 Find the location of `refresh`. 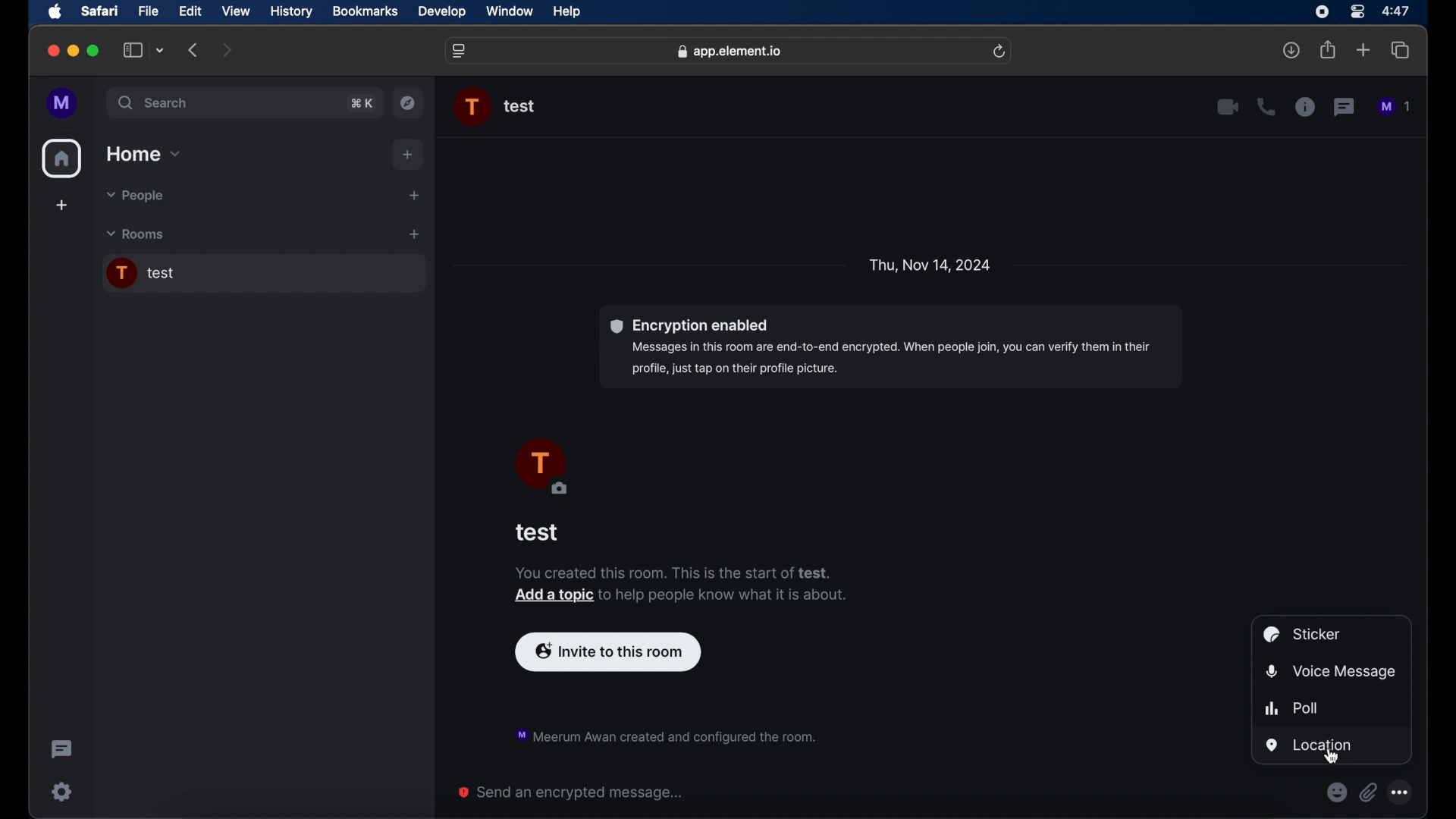

refresh is located at coordinates (1001, 51).